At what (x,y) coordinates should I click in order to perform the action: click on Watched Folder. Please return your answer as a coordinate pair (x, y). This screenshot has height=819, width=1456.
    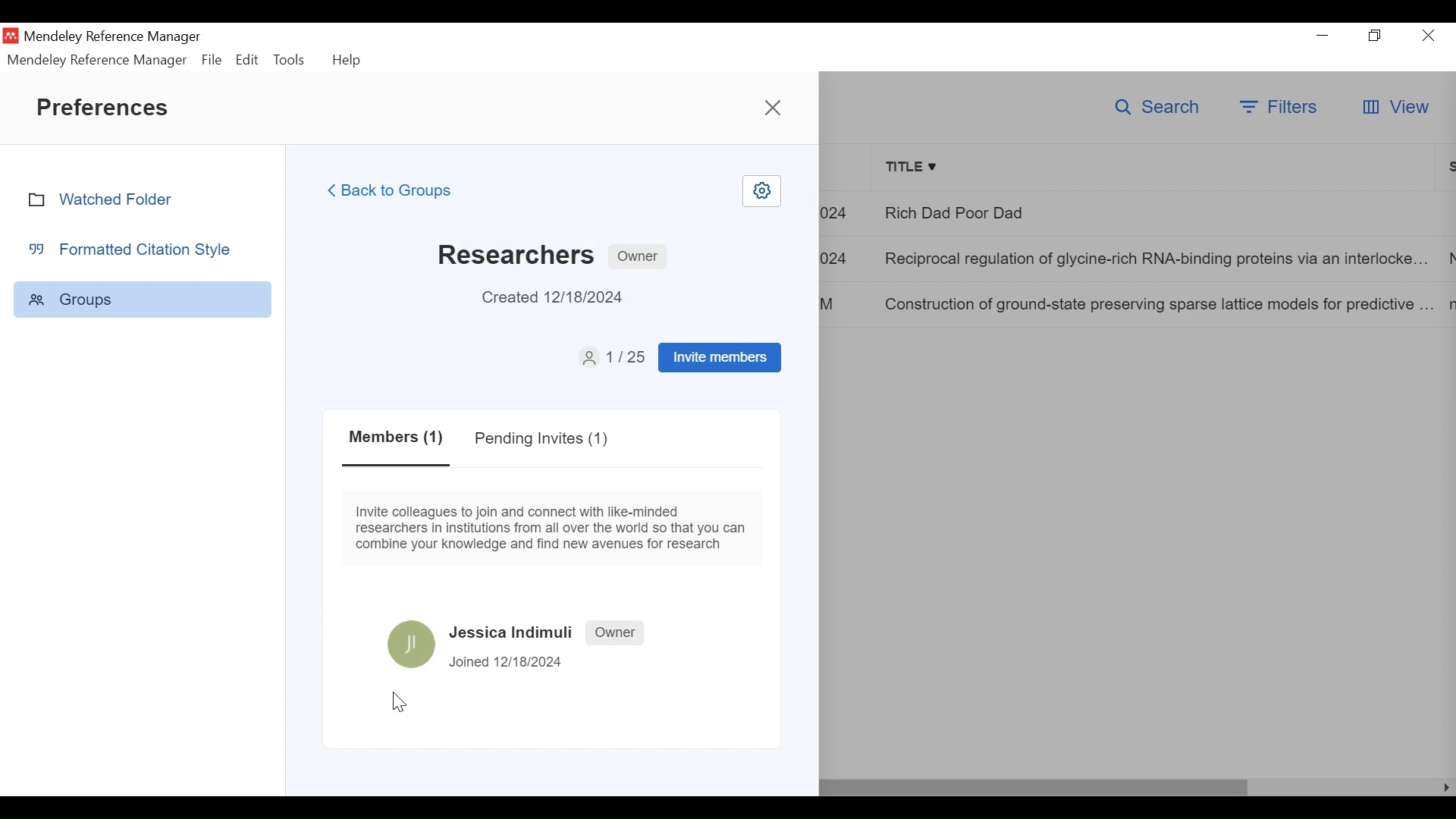
    Looking at the image, I should click on (108, 199).